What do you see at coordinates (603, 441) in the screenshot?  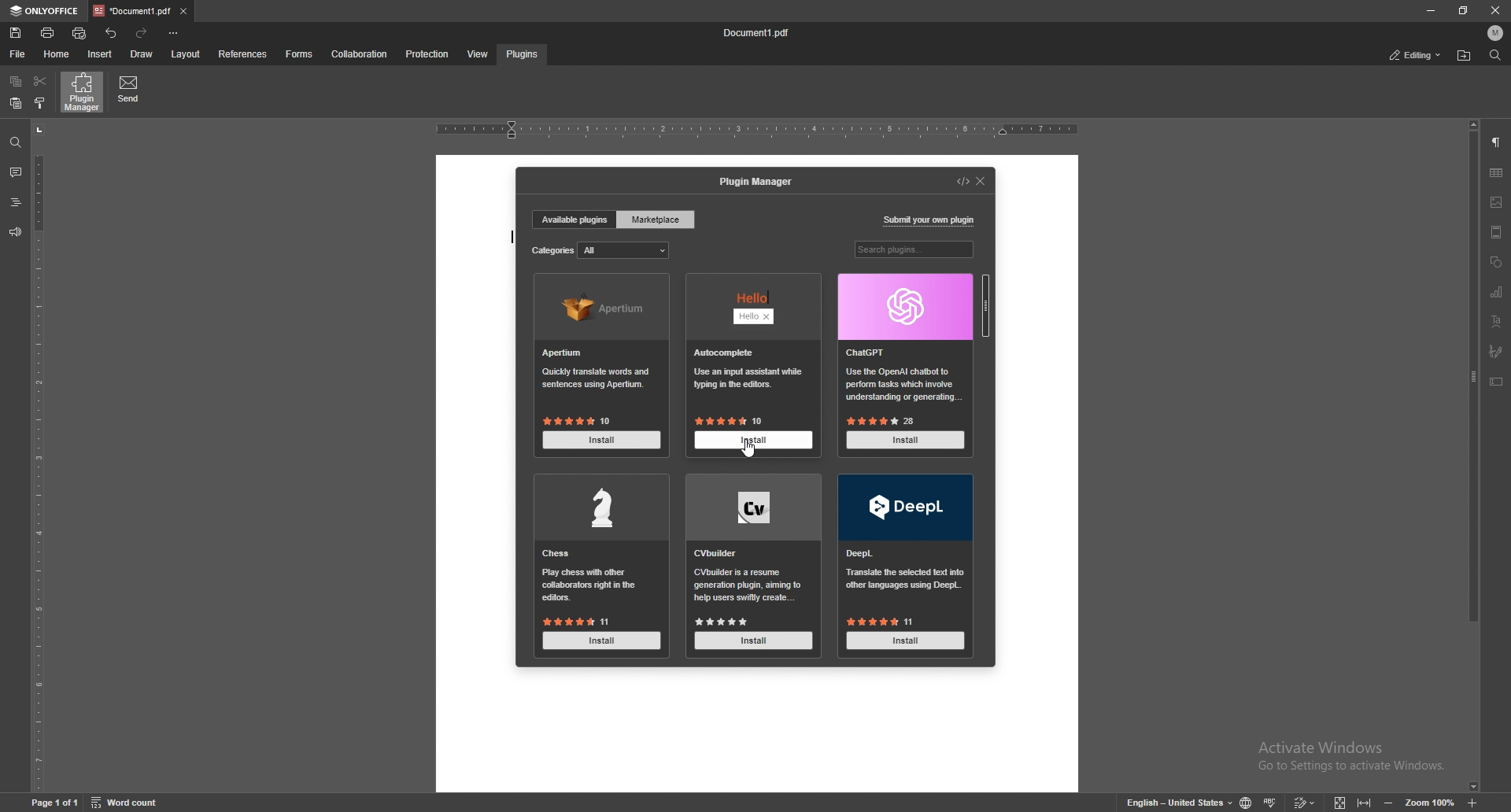 I see `install` at bounding box center [603, 441].